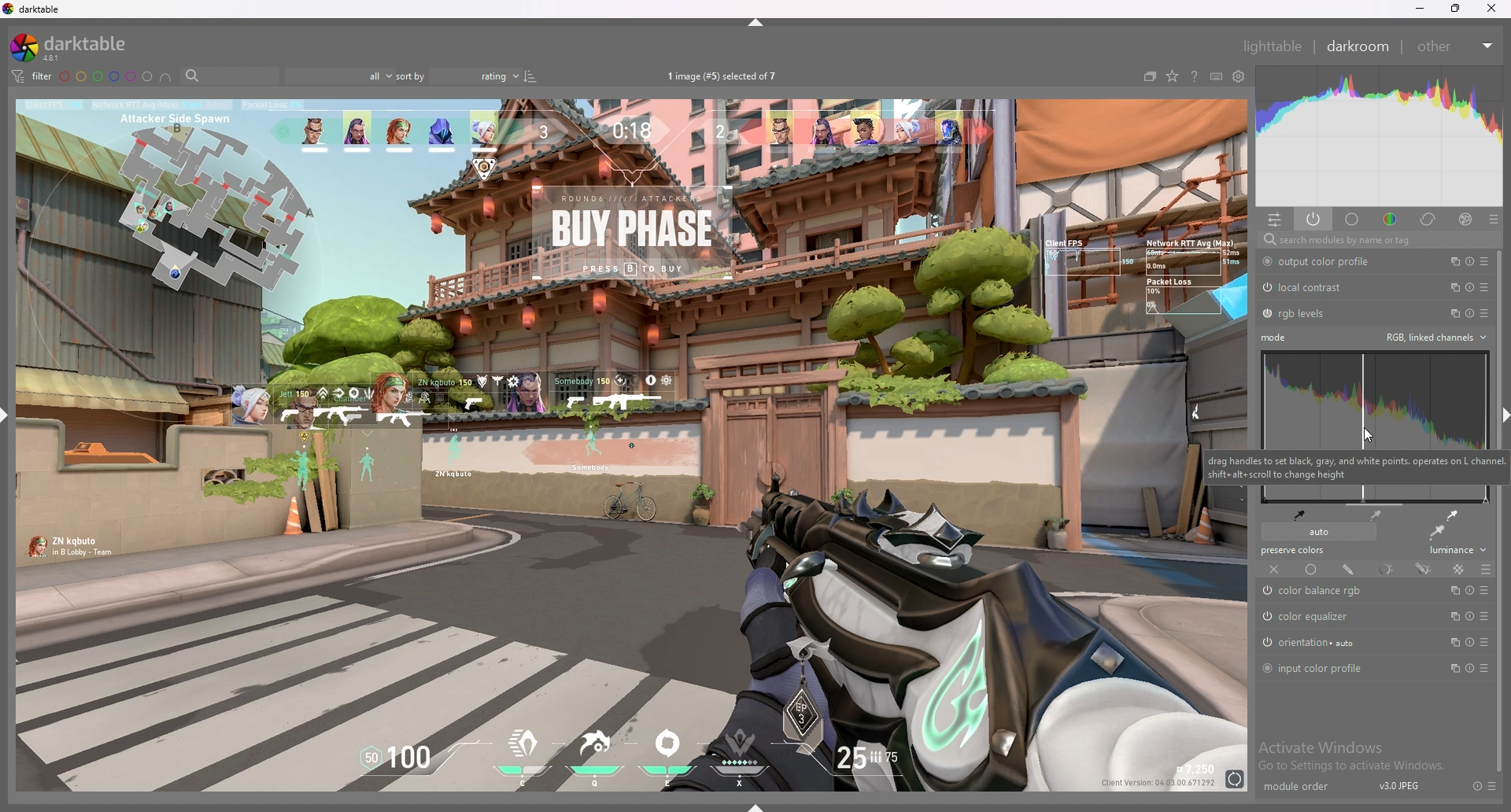 The width and height of the screenshot is (1511, 812). Describe the element at coordinates (167, 77) in the screenshot. I see `including color labels` at that location.